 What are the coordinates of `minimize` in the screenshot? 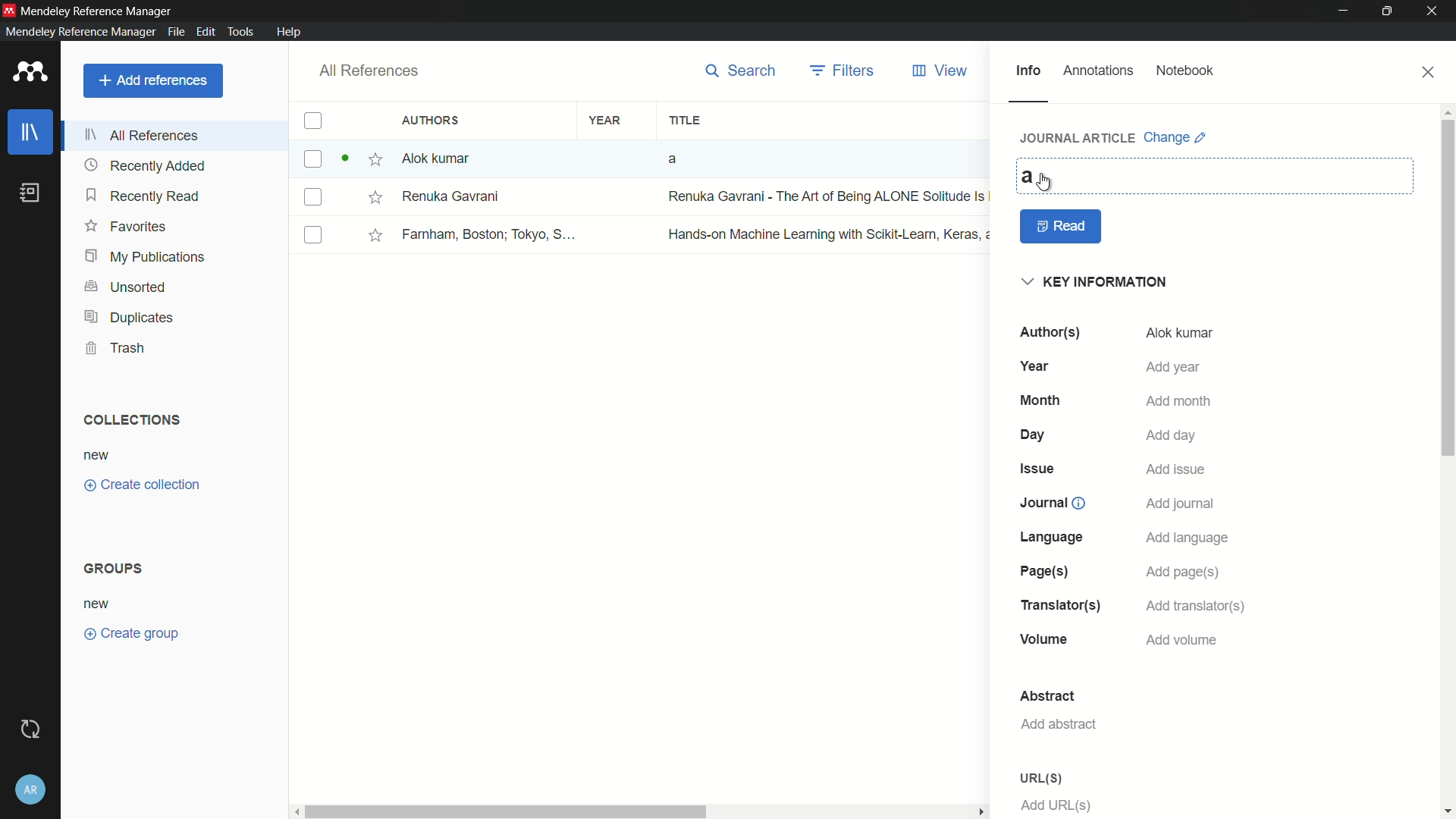 It's located at (1344, 11).